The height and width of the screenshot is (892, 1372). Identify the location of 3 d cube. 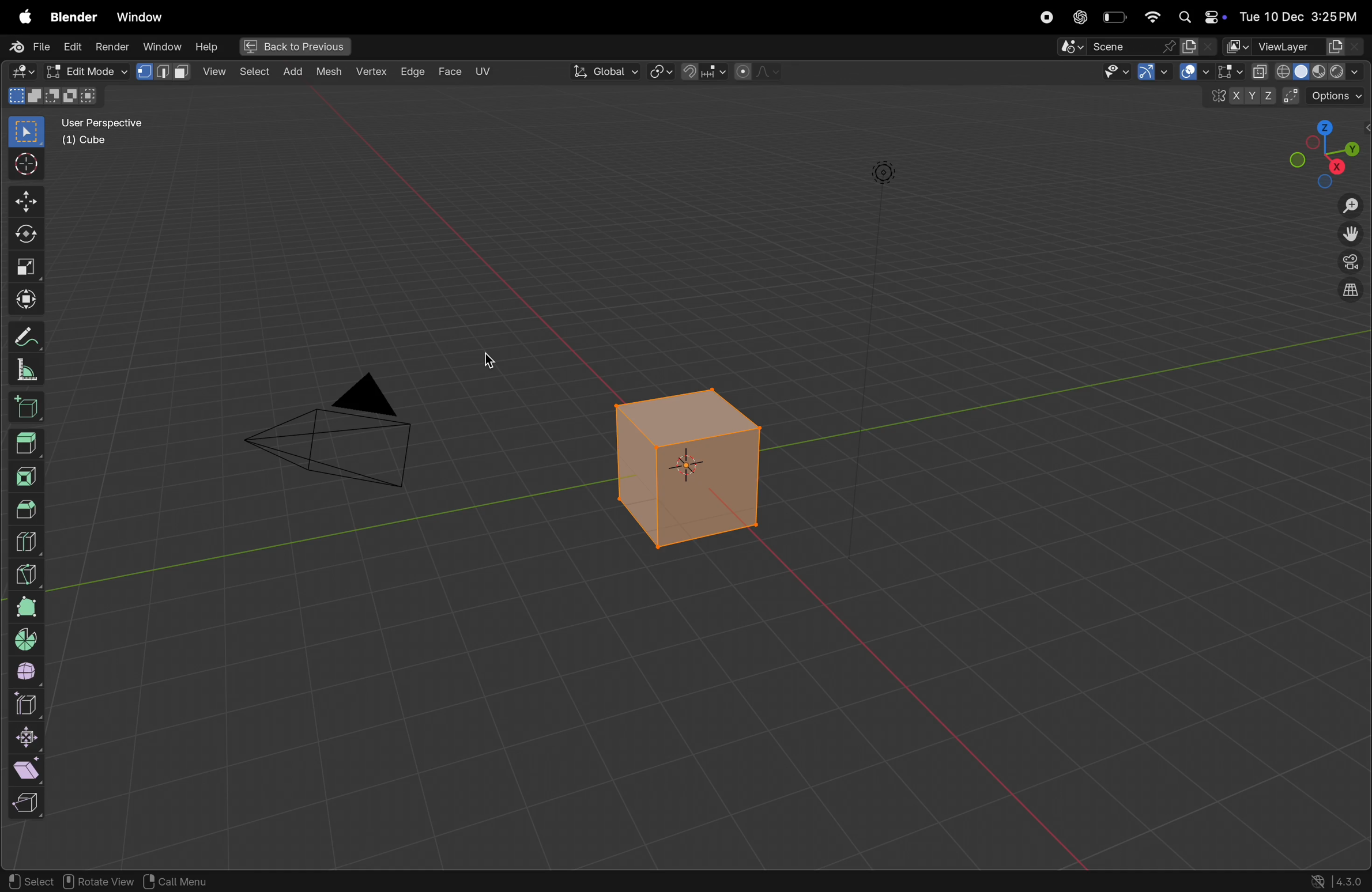
(691, 468).